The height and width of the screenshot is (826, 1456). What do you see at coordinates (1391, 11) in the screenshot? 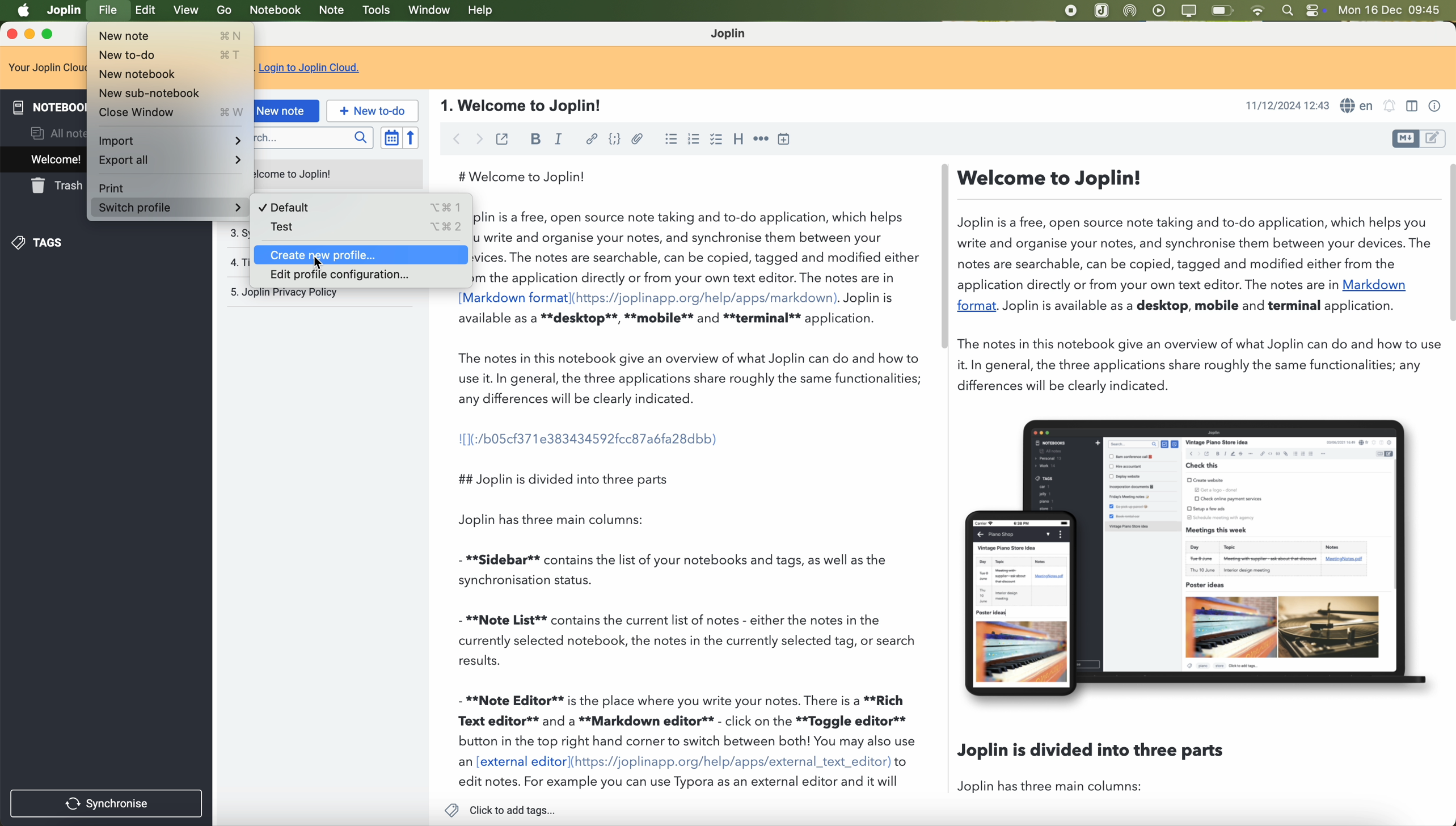
I see `Mon 16 Dec 09:45` at bounding box center [1391, 11].